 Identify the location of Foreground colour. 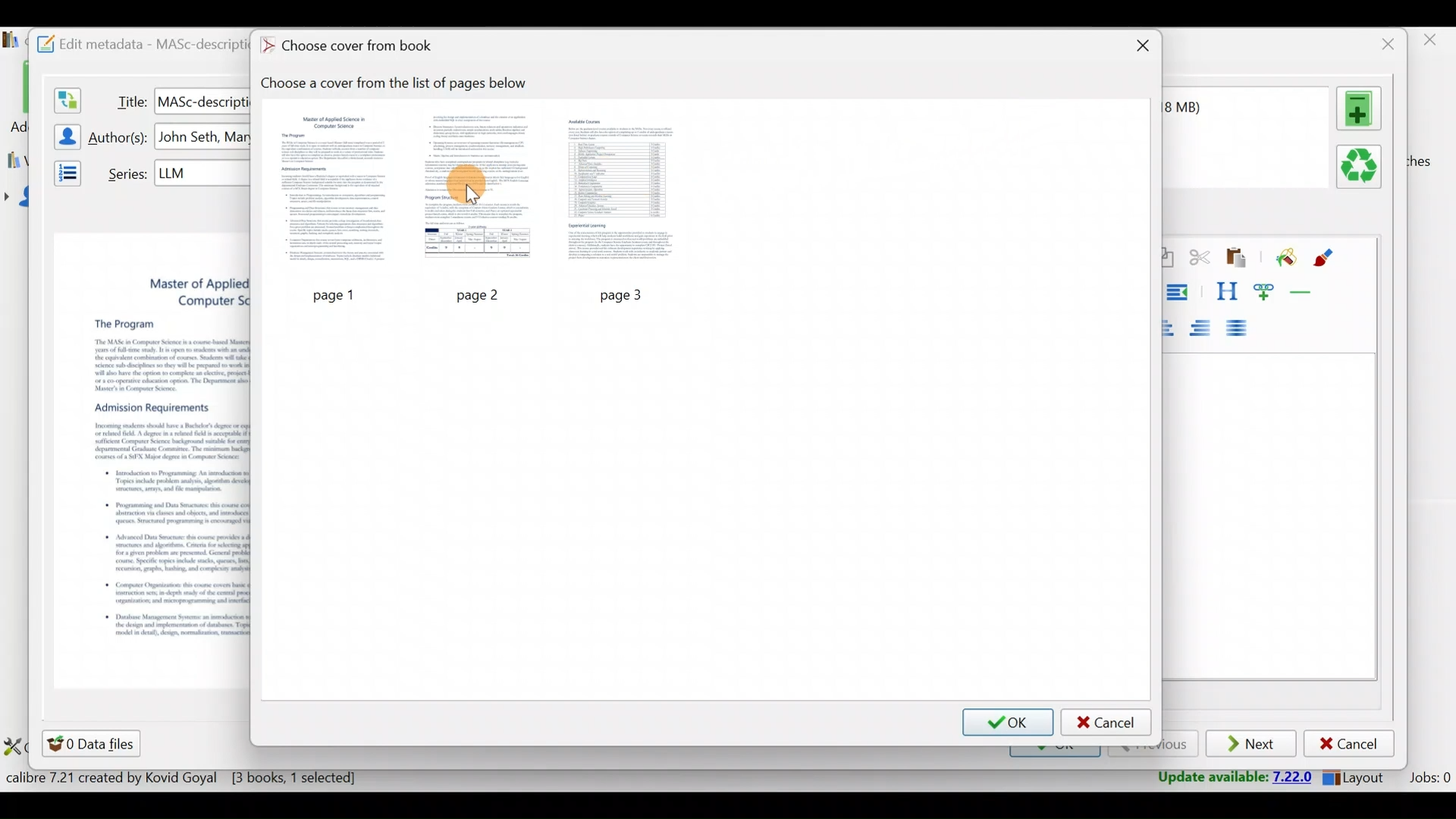
(1326, 258).